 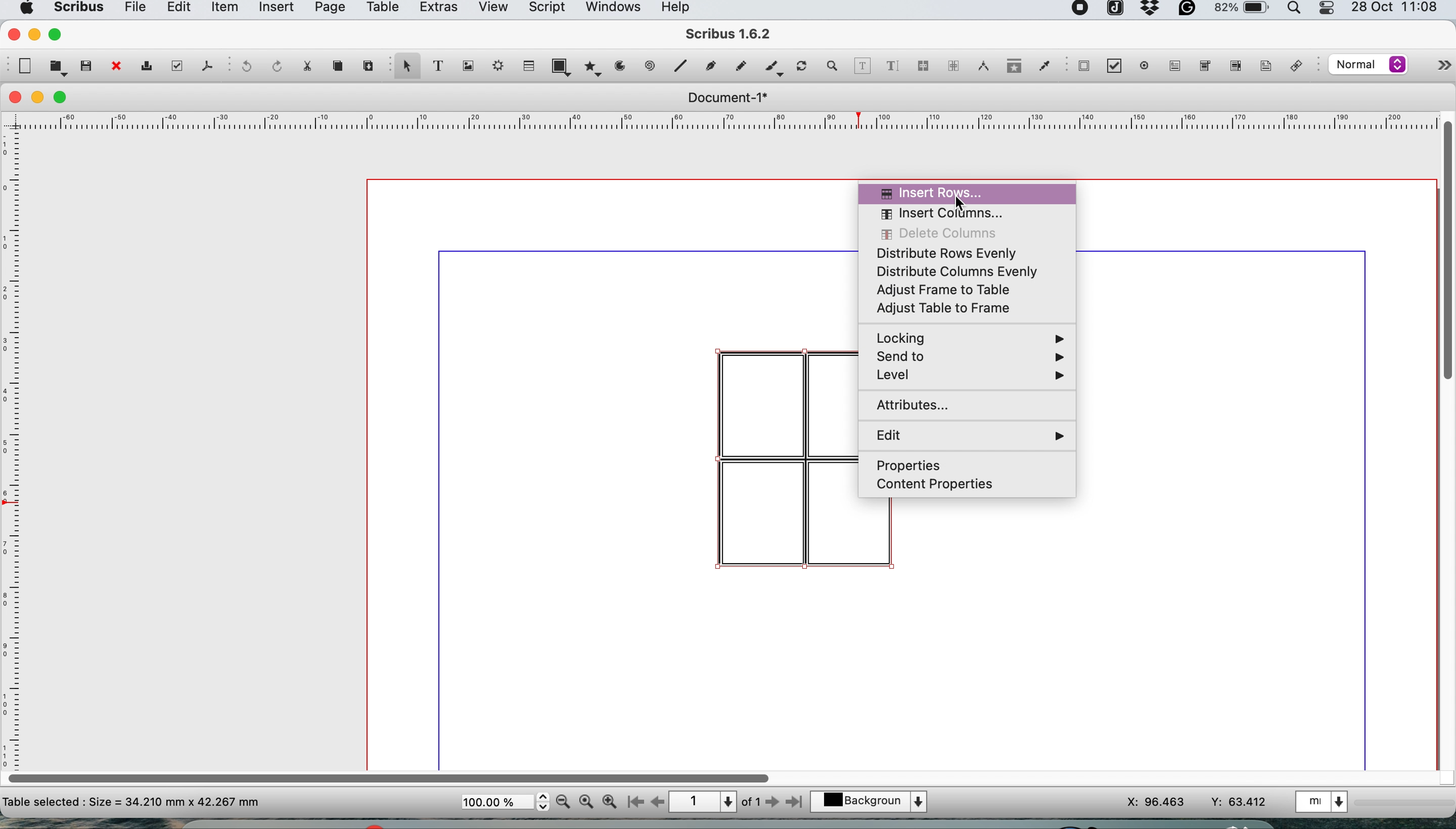 I want to click on render frame, so click(x=495, y=65).